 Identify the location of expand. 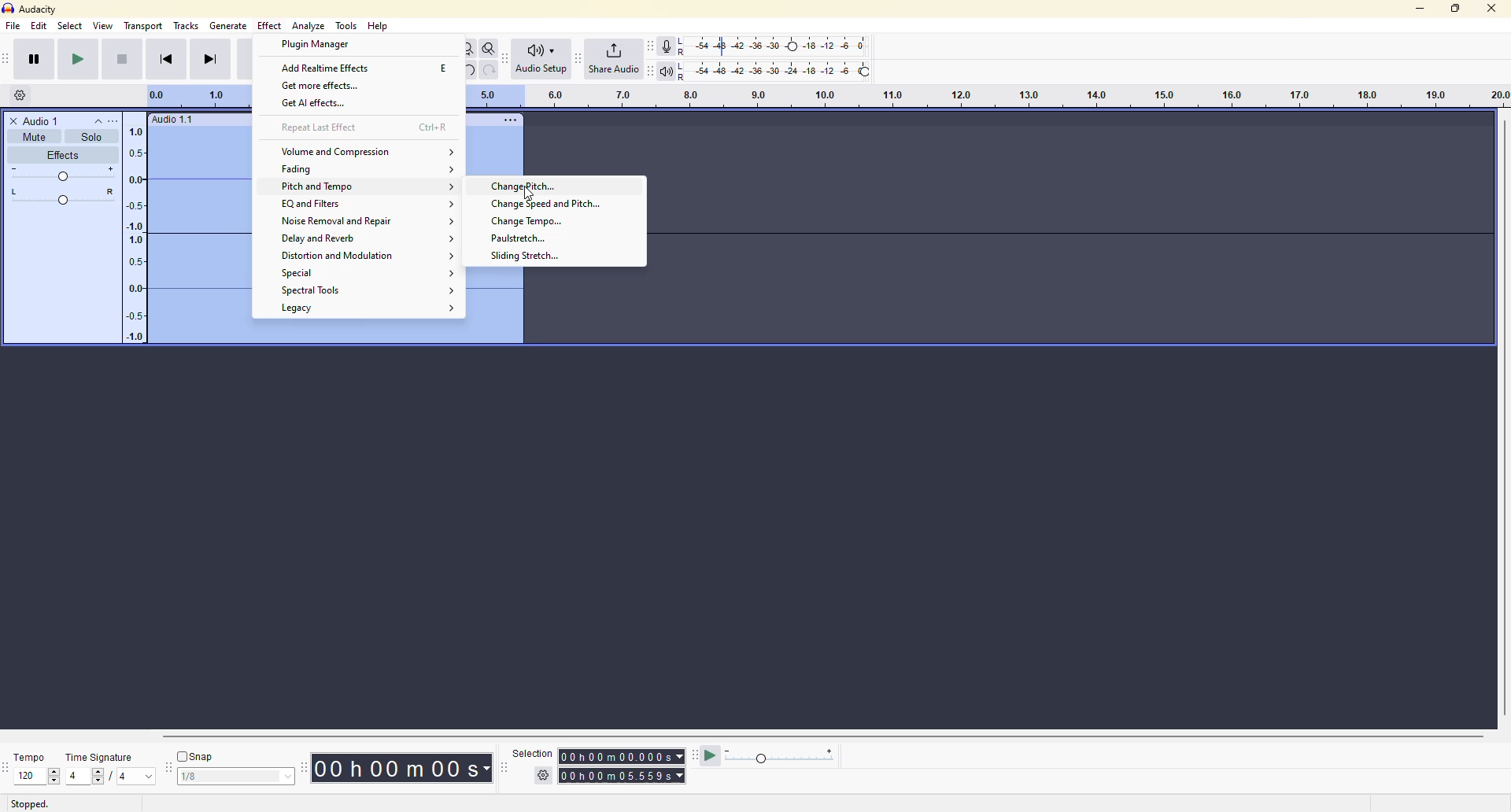
(453, 170).